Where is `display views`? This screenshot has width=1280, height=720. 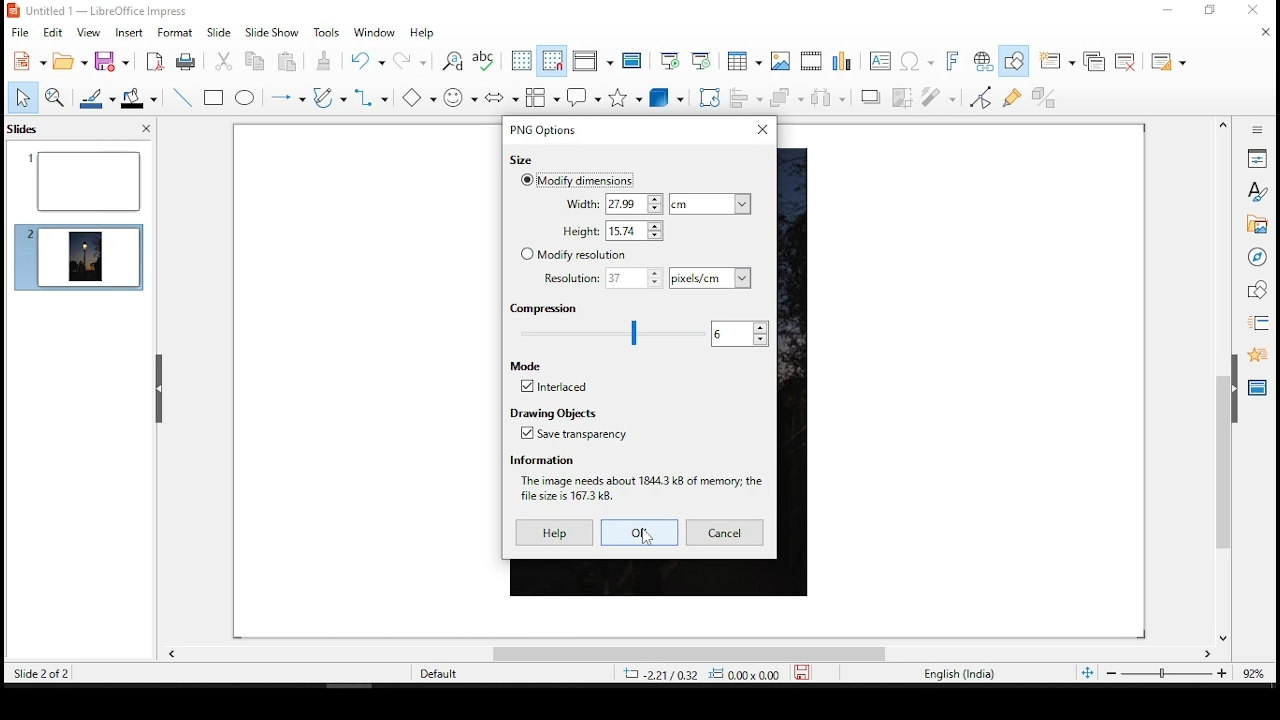
display views is located at coordinates (596, 61).